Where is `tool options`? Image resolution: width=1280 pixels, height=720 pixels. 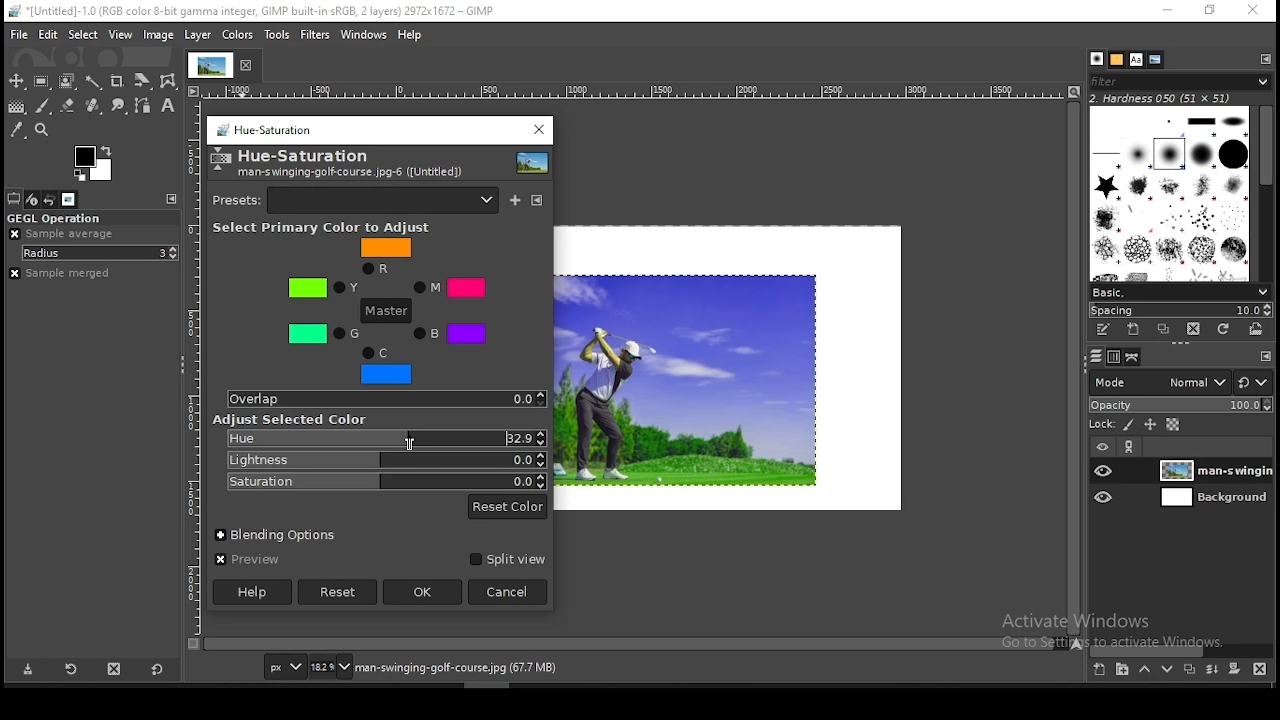 tool options is located at coordinates (15, 198).